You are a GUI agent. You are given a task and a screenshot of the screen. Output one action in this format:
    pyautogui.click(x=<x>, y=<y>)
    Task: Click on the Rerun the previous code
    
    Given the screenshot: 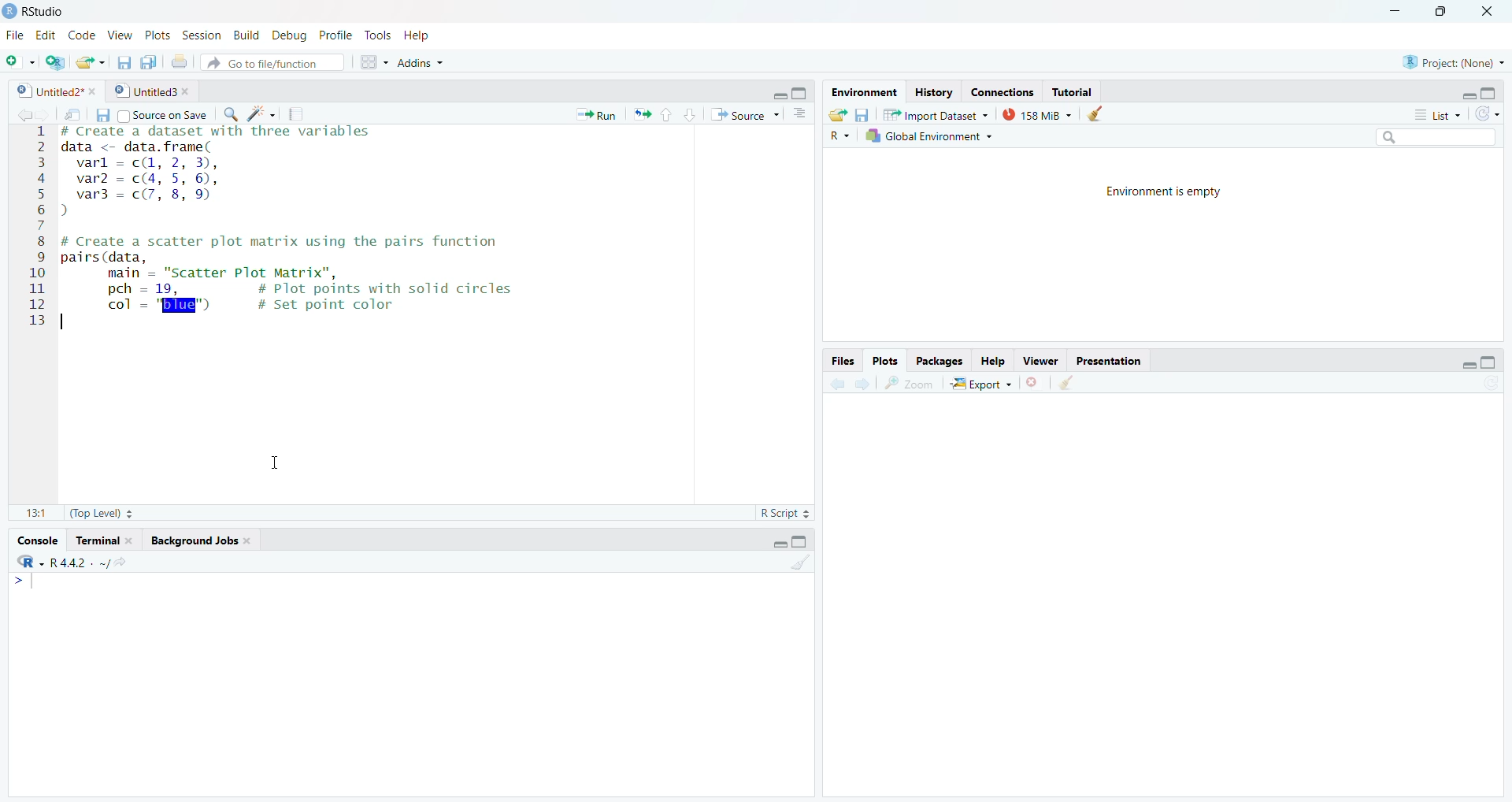 What is the action you would take?
    pyautogui.click(x=664, y=113)
    